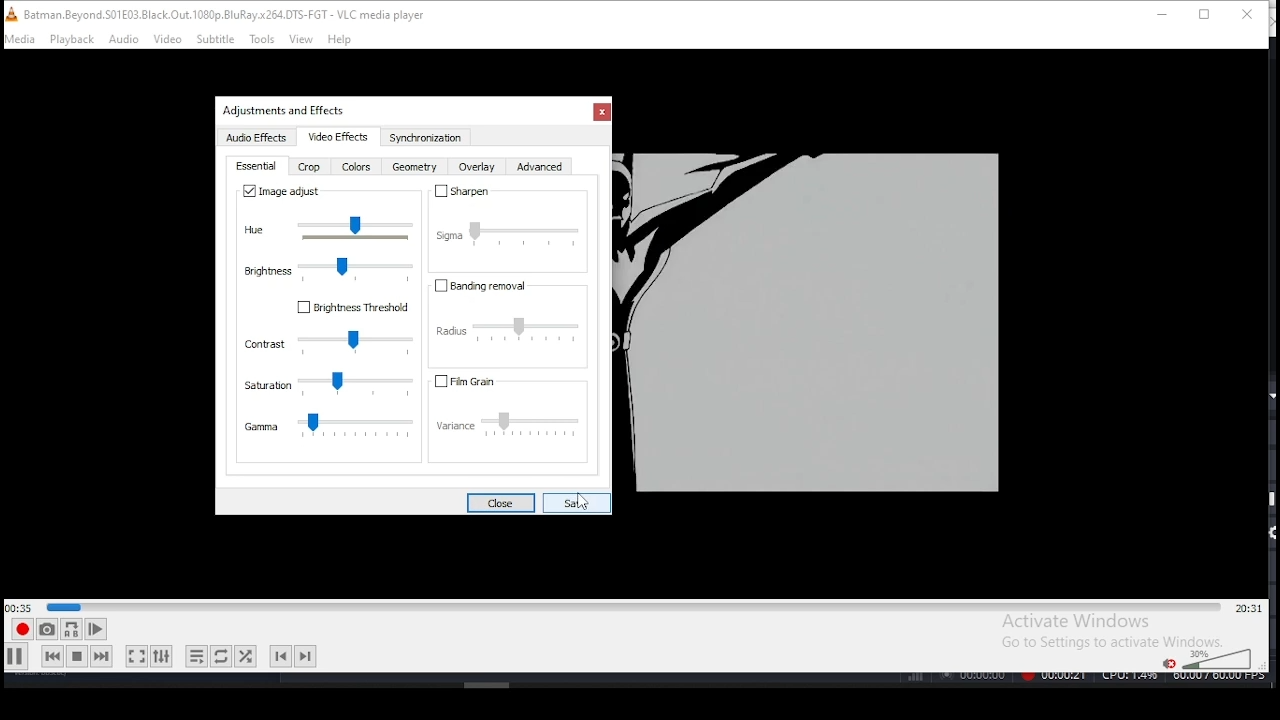 Image resolution: width=1280 pixels, height=720 pixels. What do you see at coordinates (307, 654) in the screenshot?
I see `next chapter` at bounding box center [307, 654].